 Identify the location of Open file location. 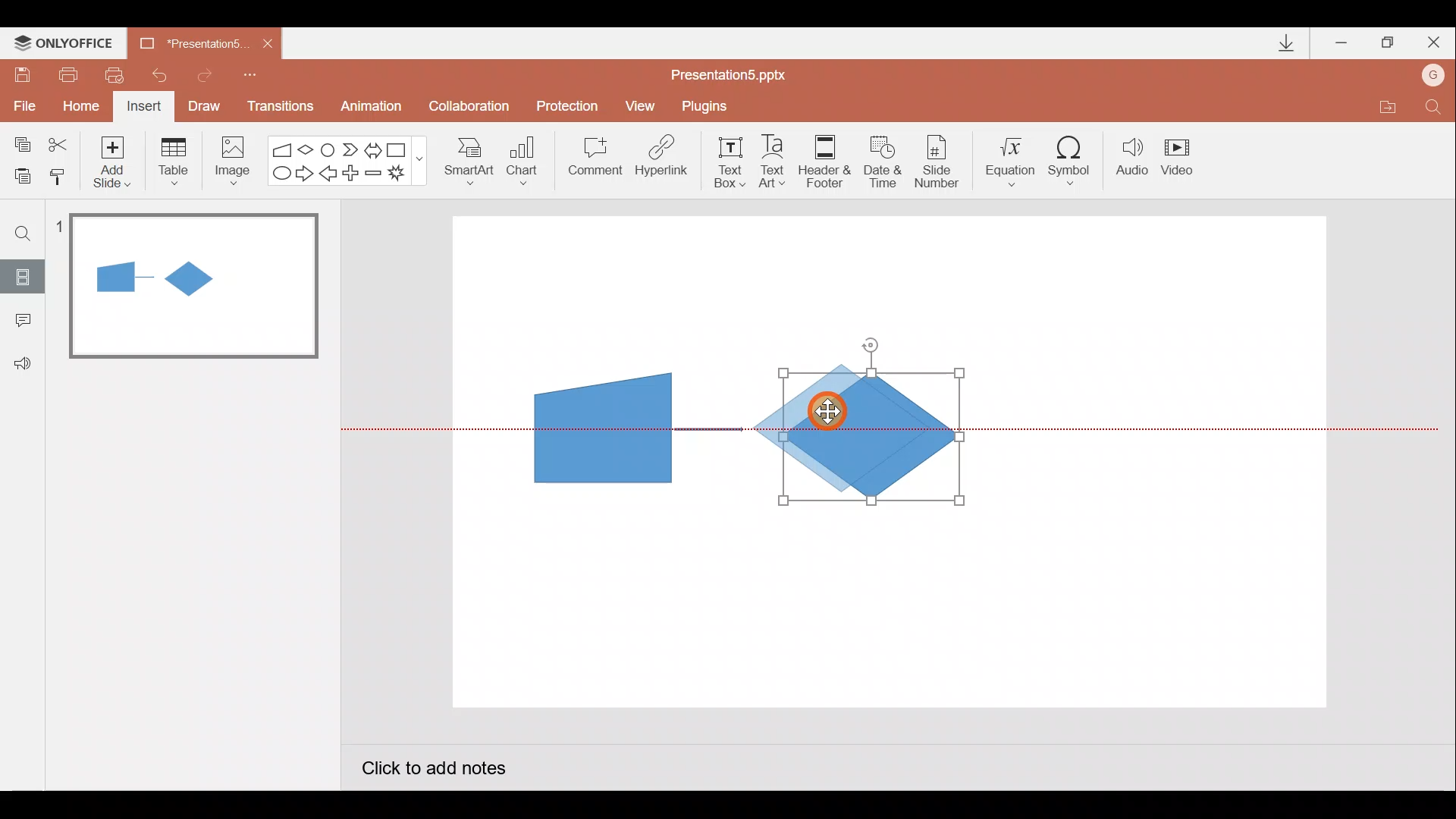
(1387, 109).